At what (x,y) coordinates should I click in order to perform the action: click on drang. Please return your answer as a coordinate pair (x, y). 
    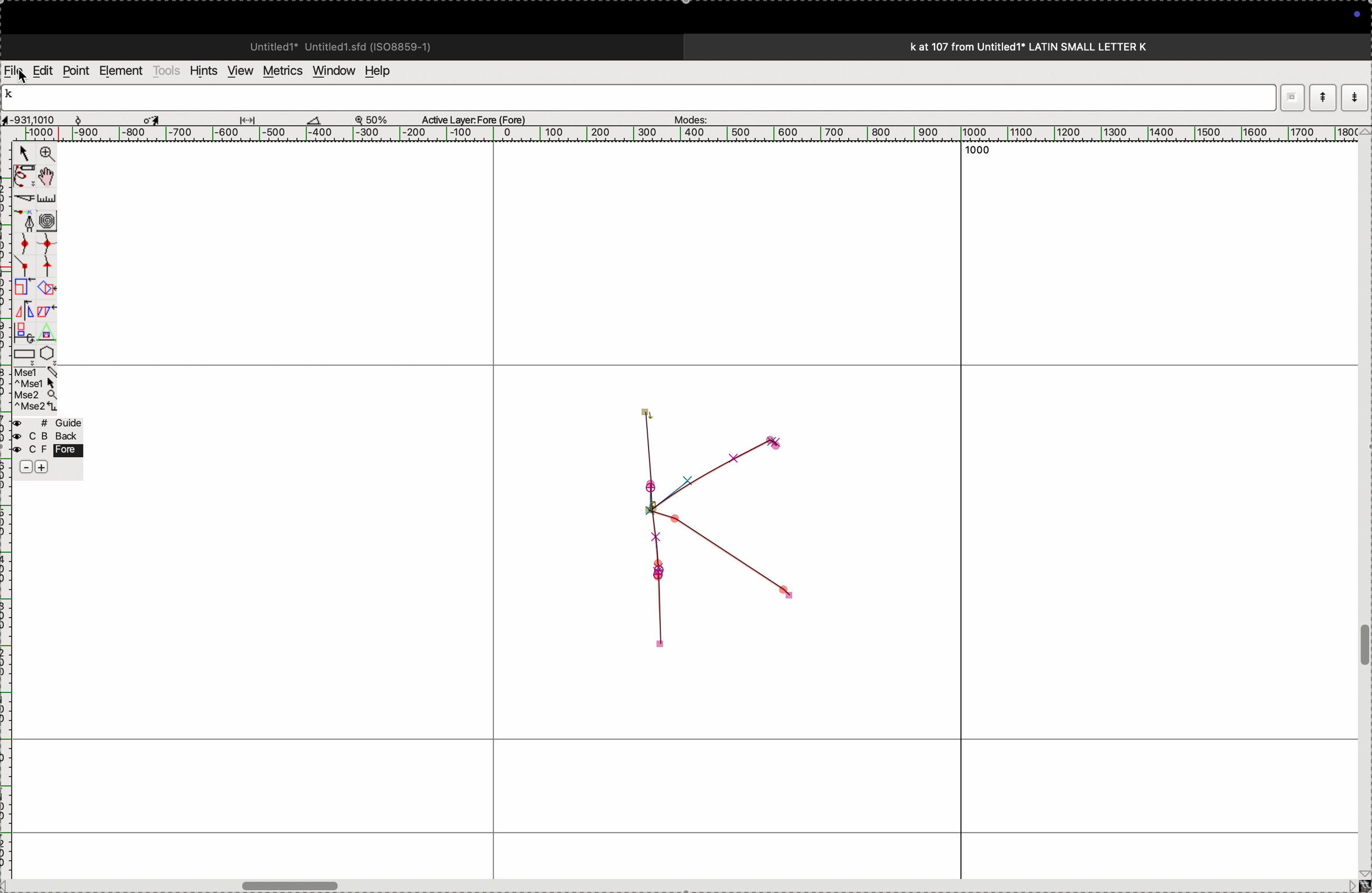
    Looking at the image, I should click on (254, 118).